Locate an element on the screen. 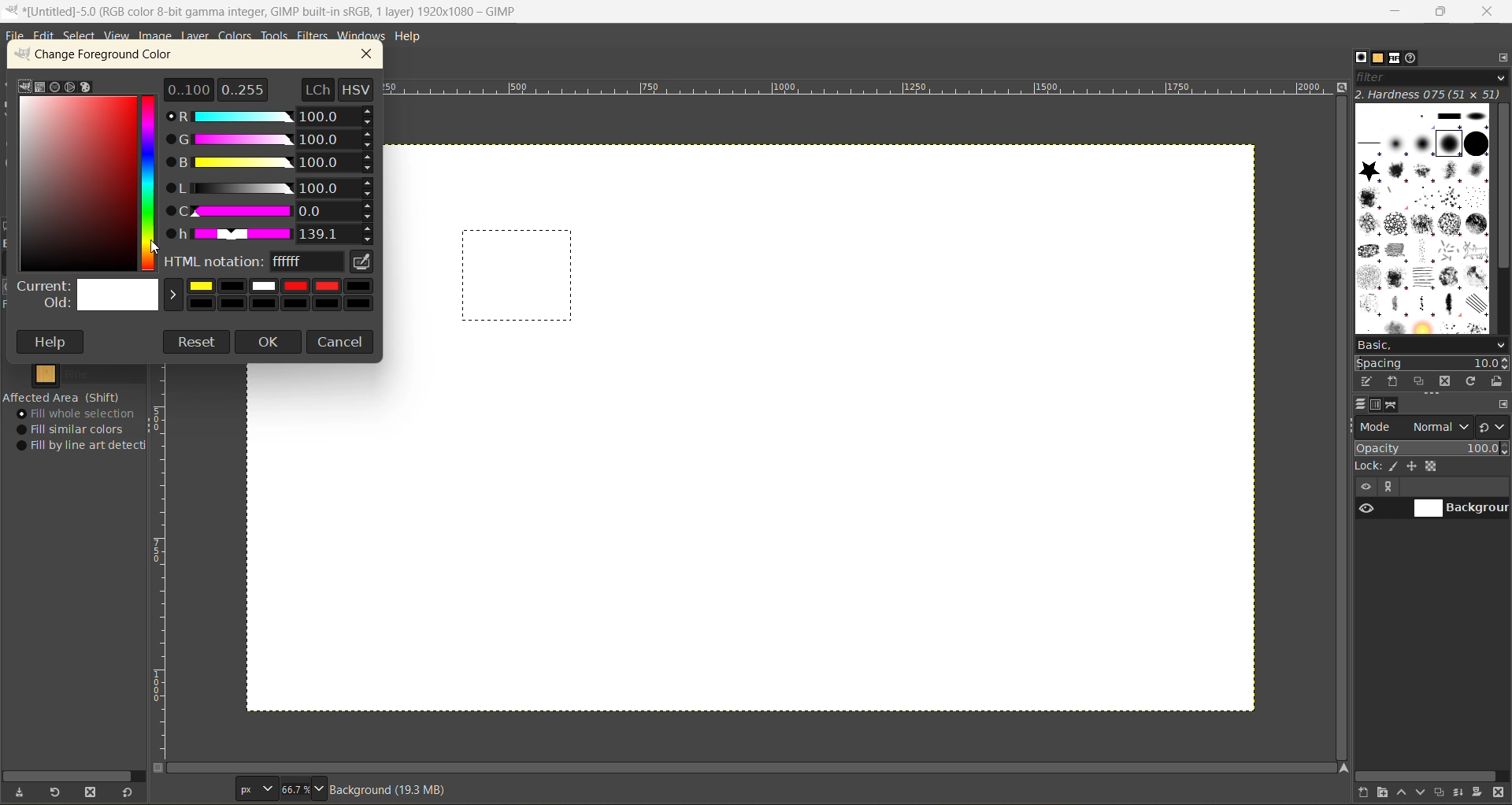  select is located at coordinates (83, 38).